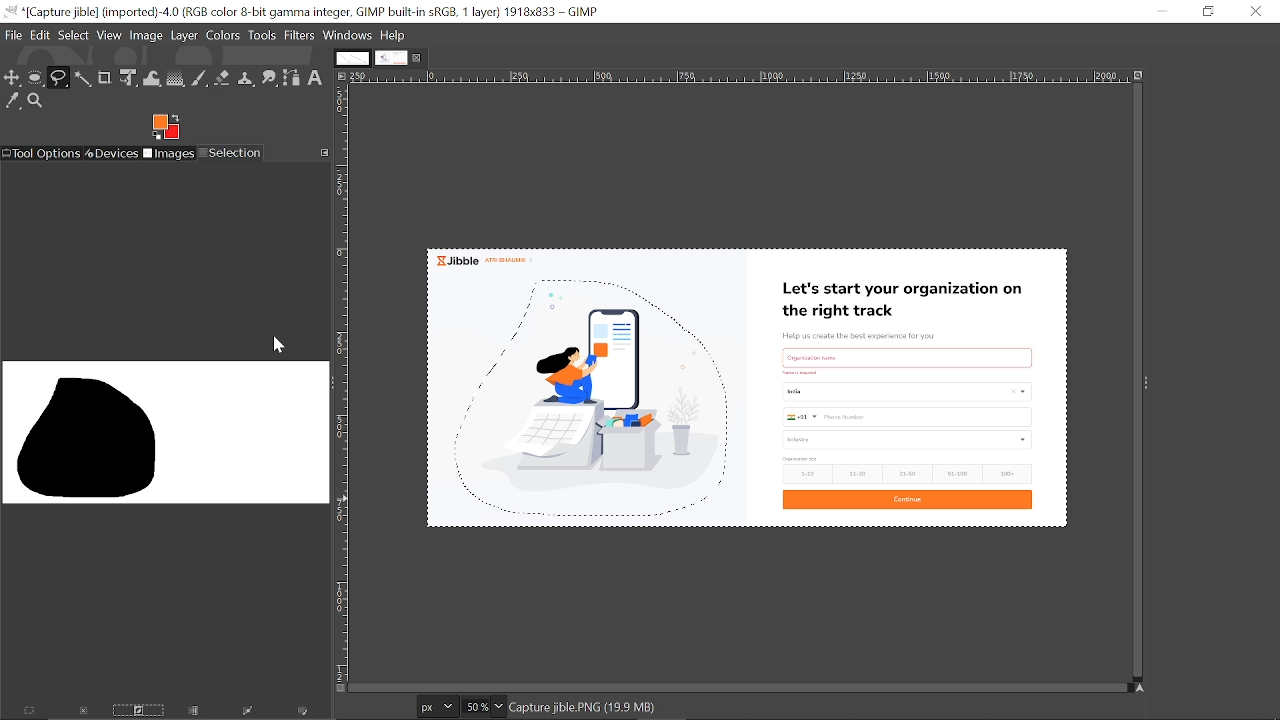 The image size is (1280, 720). Describe the element at coordinates (168, 154) in the screenshot. I see `Images` at that location.